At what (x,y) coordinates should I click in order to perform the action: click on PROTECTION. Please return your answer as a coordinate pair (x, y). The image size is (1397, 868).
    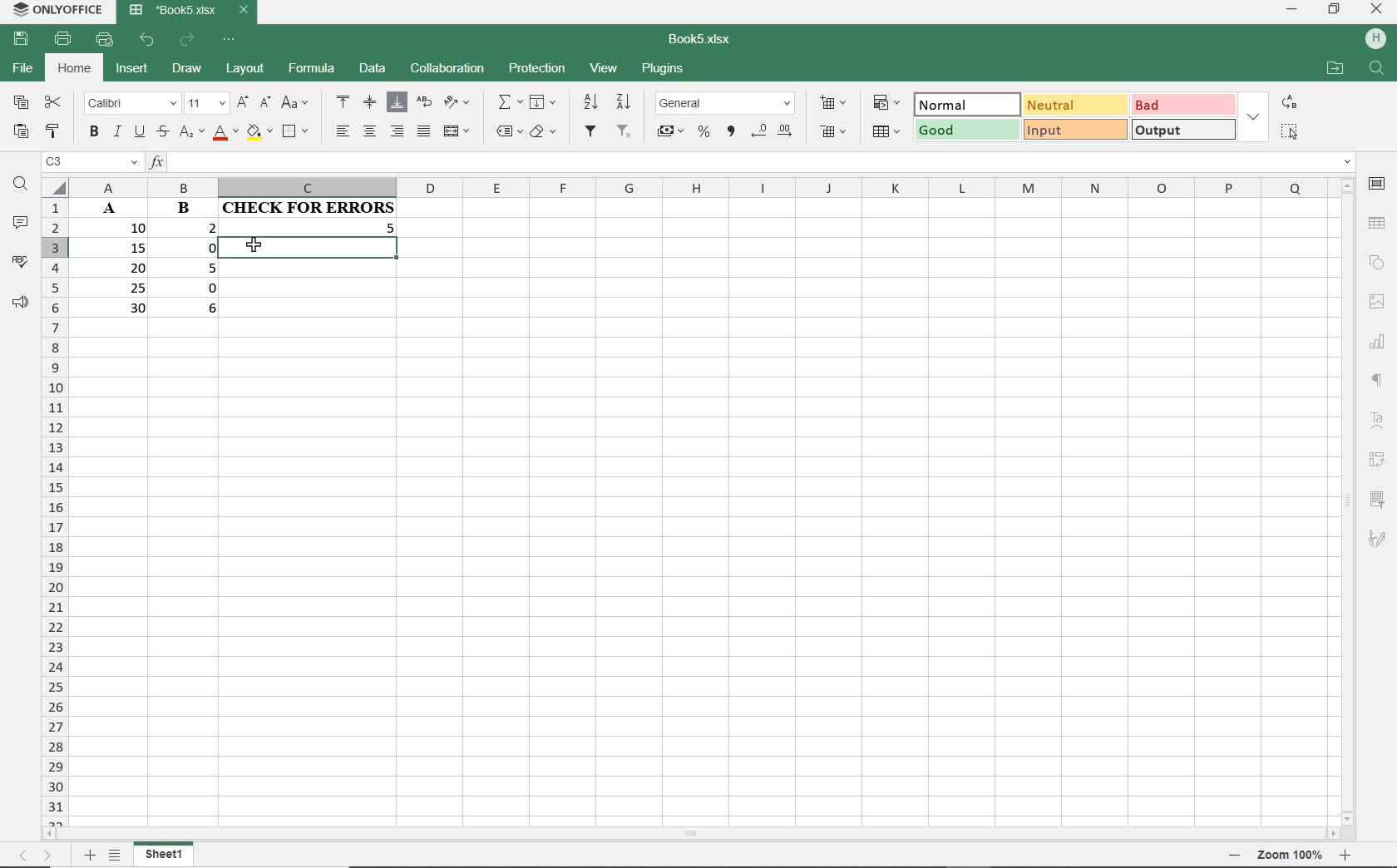
    Looking at the image, I should click on (536, 69).